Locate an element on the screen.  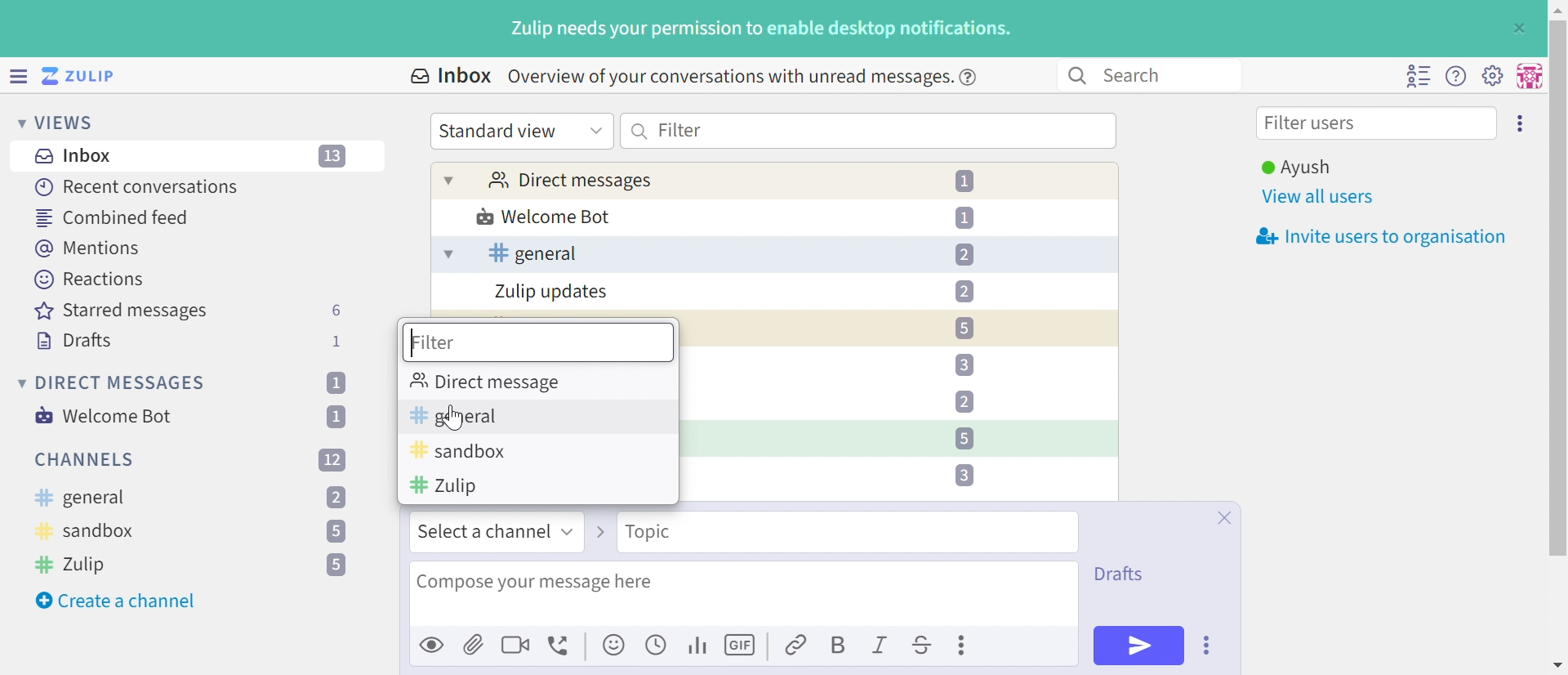
Welcome Bot is located at coordinates (105, 416).